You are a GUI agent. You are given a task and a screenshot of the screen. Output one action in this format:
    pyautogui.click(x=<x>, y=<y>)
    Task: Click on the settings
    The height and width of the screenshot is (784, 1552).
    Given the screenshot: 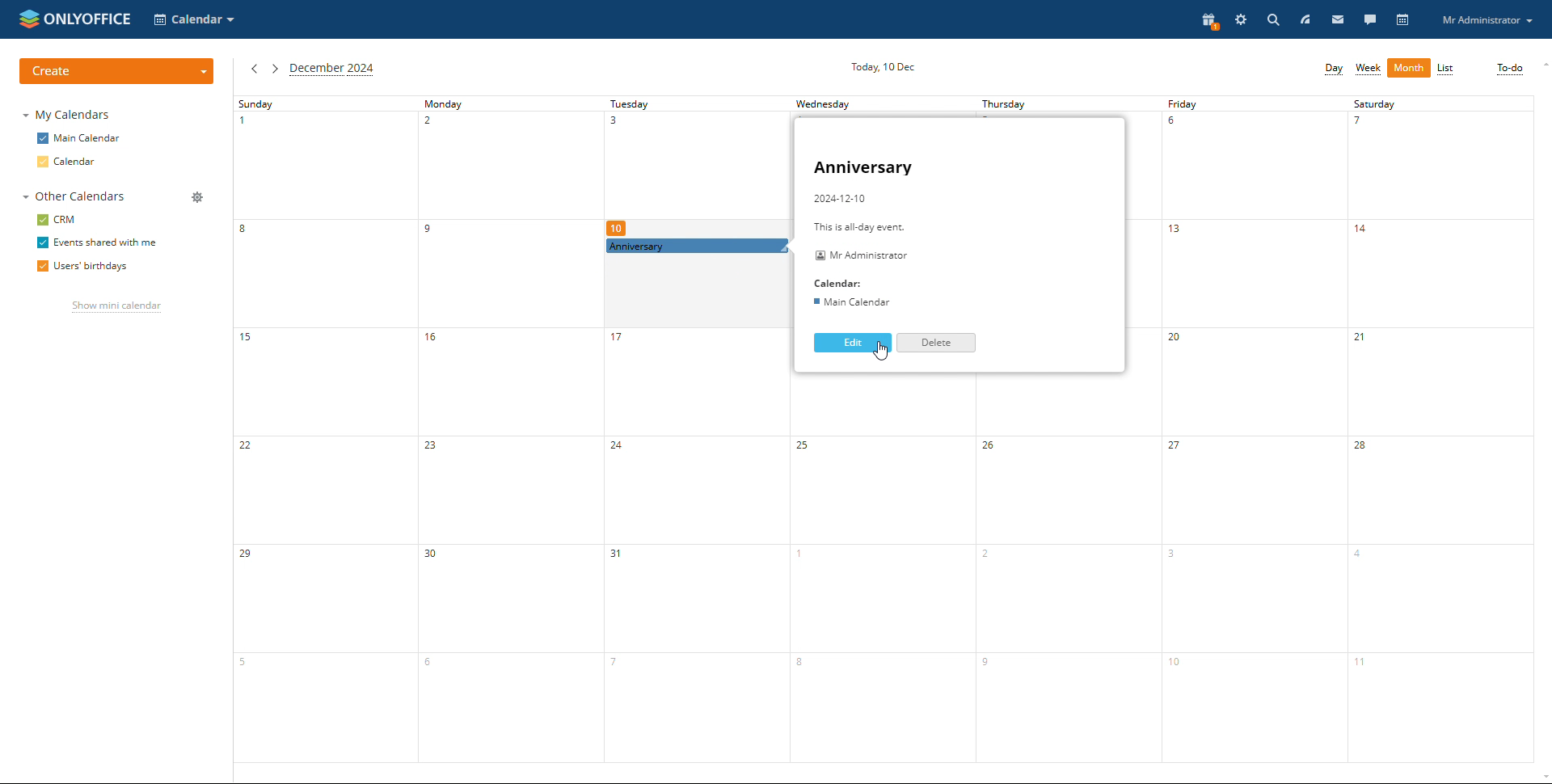 What is the action you would take?
    pyautogui.click(x=1242, y=19)
    